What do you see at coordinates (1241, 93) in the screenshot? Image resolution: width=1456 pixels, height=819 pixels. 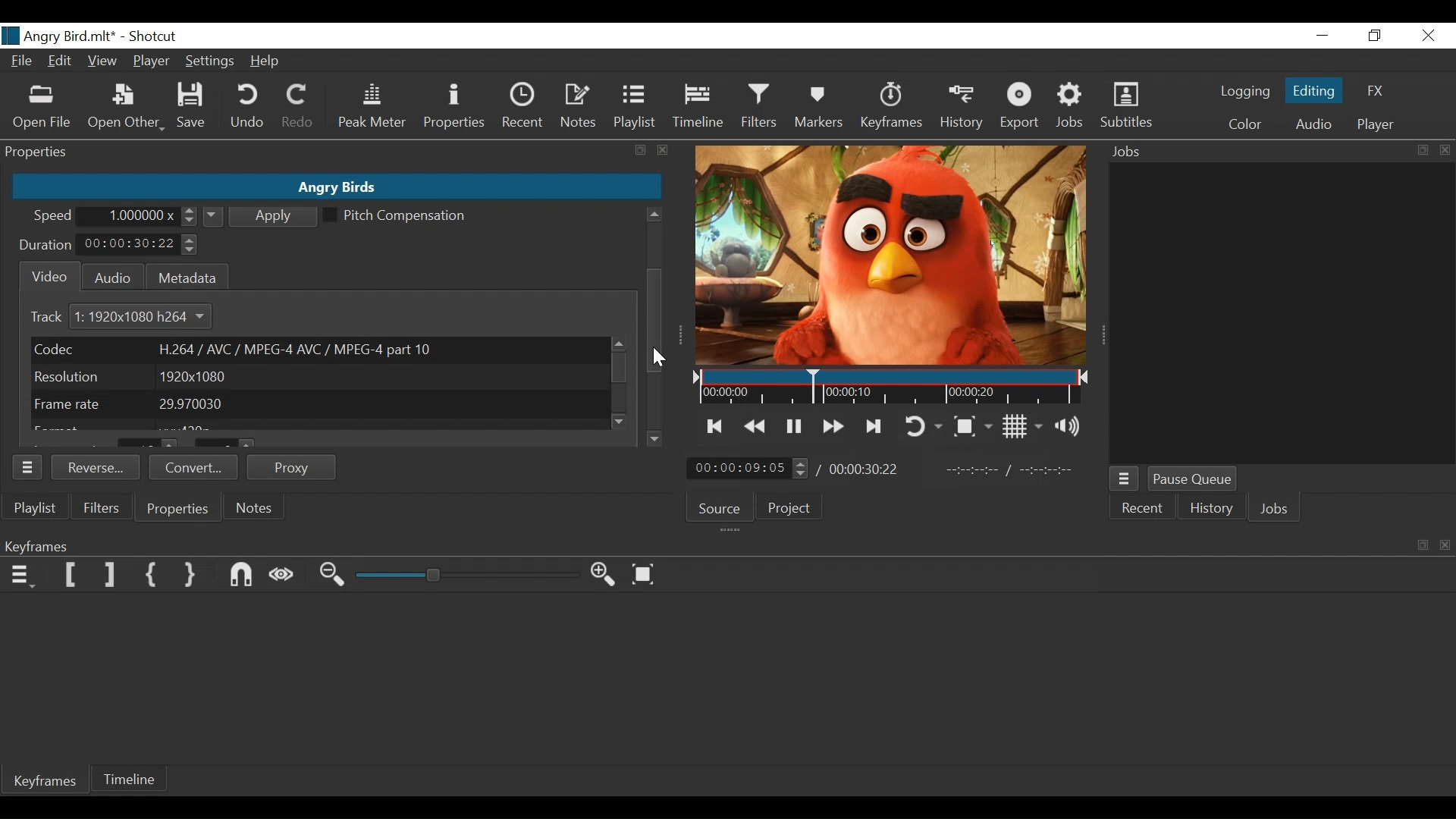 I see `logging` at bounding box center [1241, 93].